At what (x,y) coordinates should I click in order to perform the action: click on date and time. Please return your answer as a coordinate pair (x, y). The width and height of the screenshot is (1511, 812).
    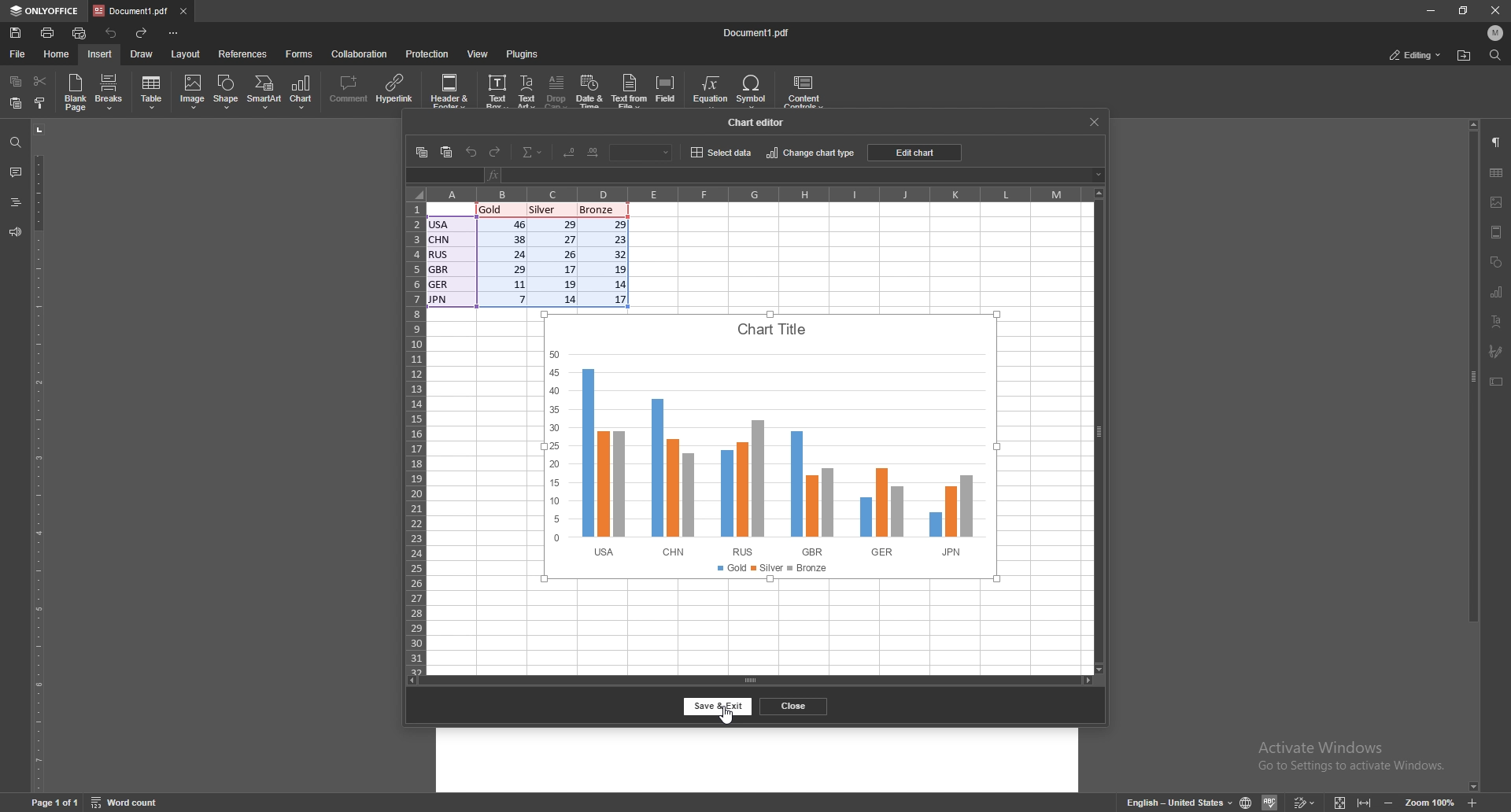
    Looking at the image, I should click on (589, 94).